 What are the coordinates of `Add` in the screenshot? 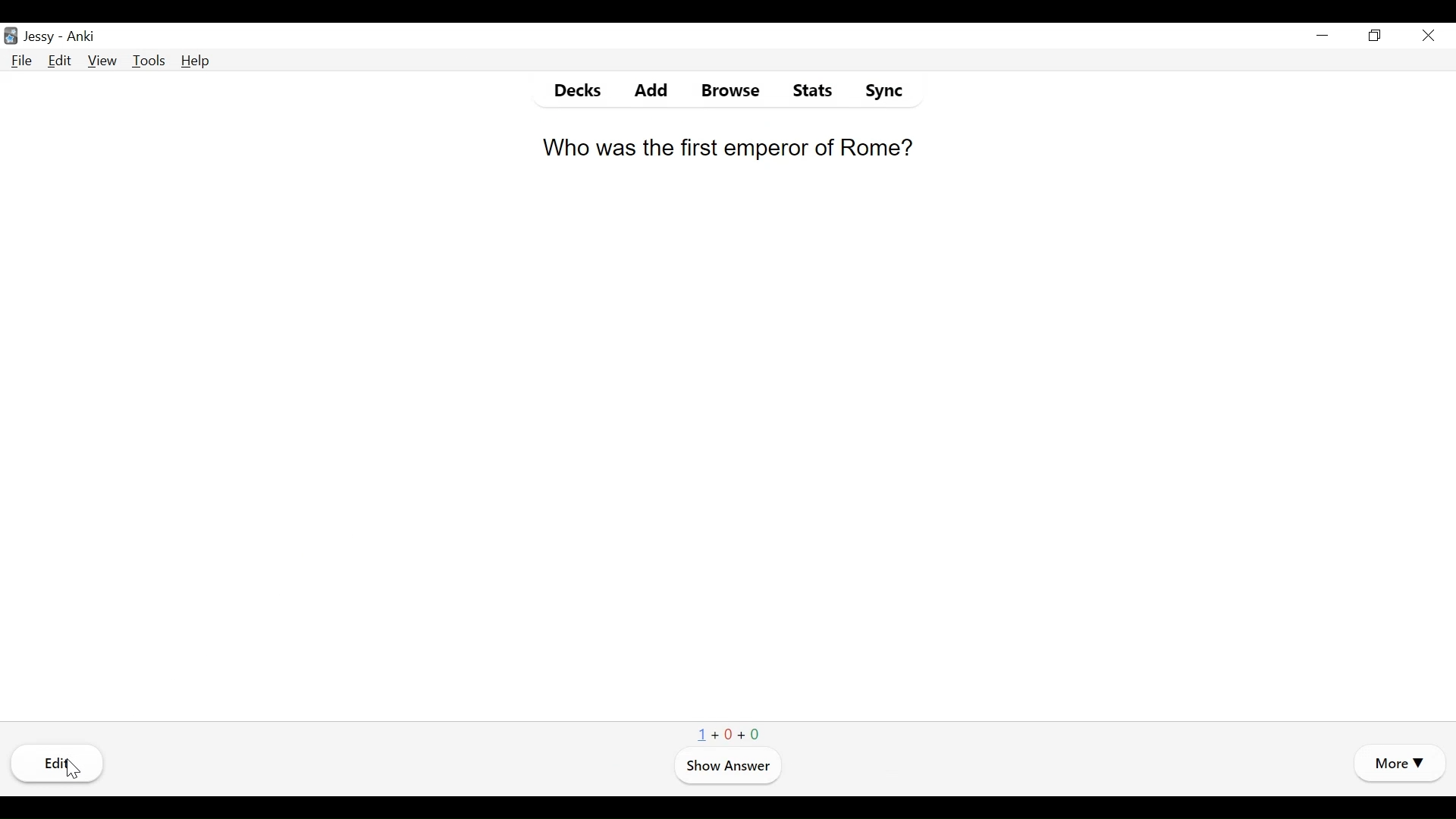 It's located at (641, 90).